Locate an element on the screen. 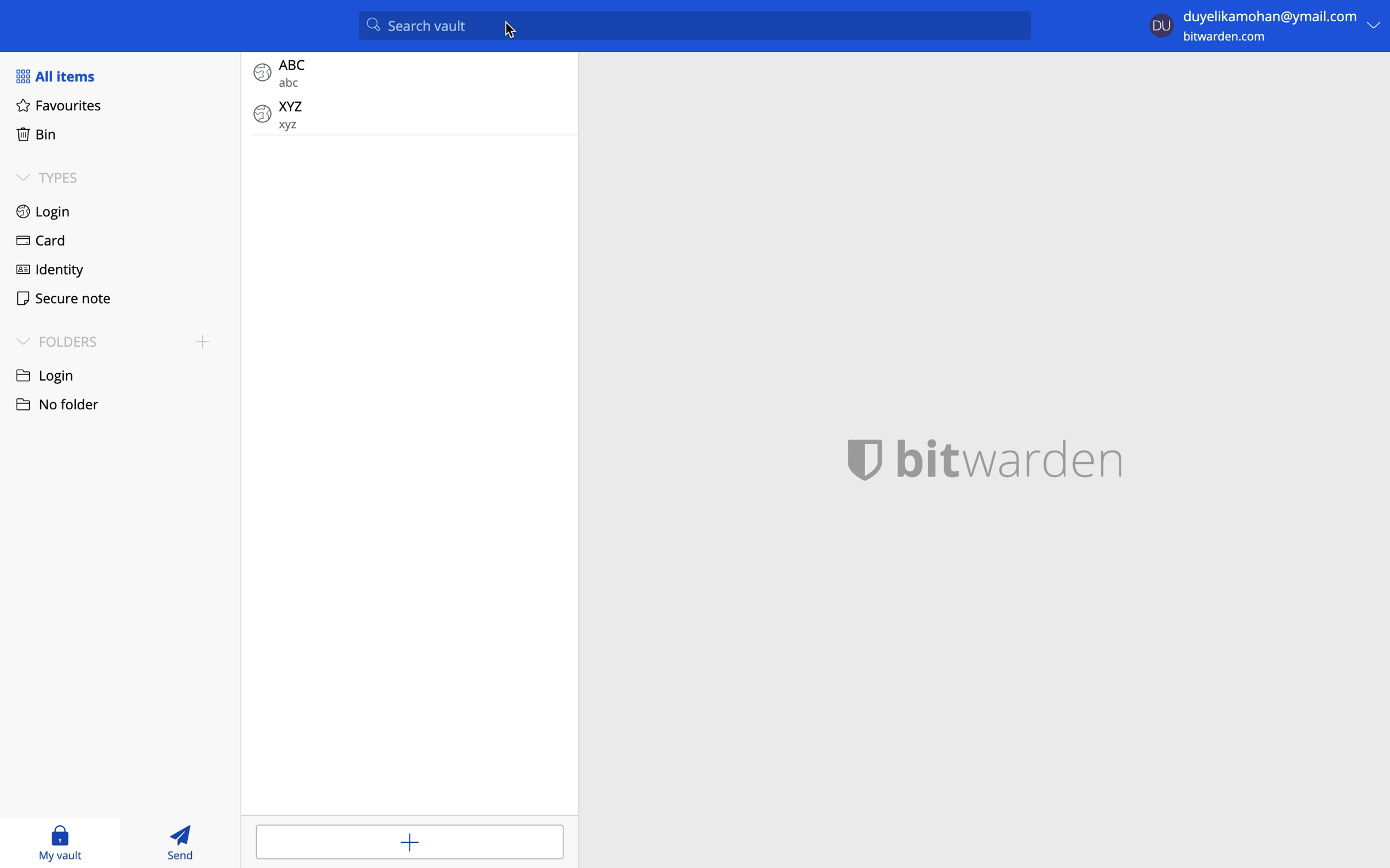 This screenshot has height=868, width=1390. identity is located at coordinates (51, 270).